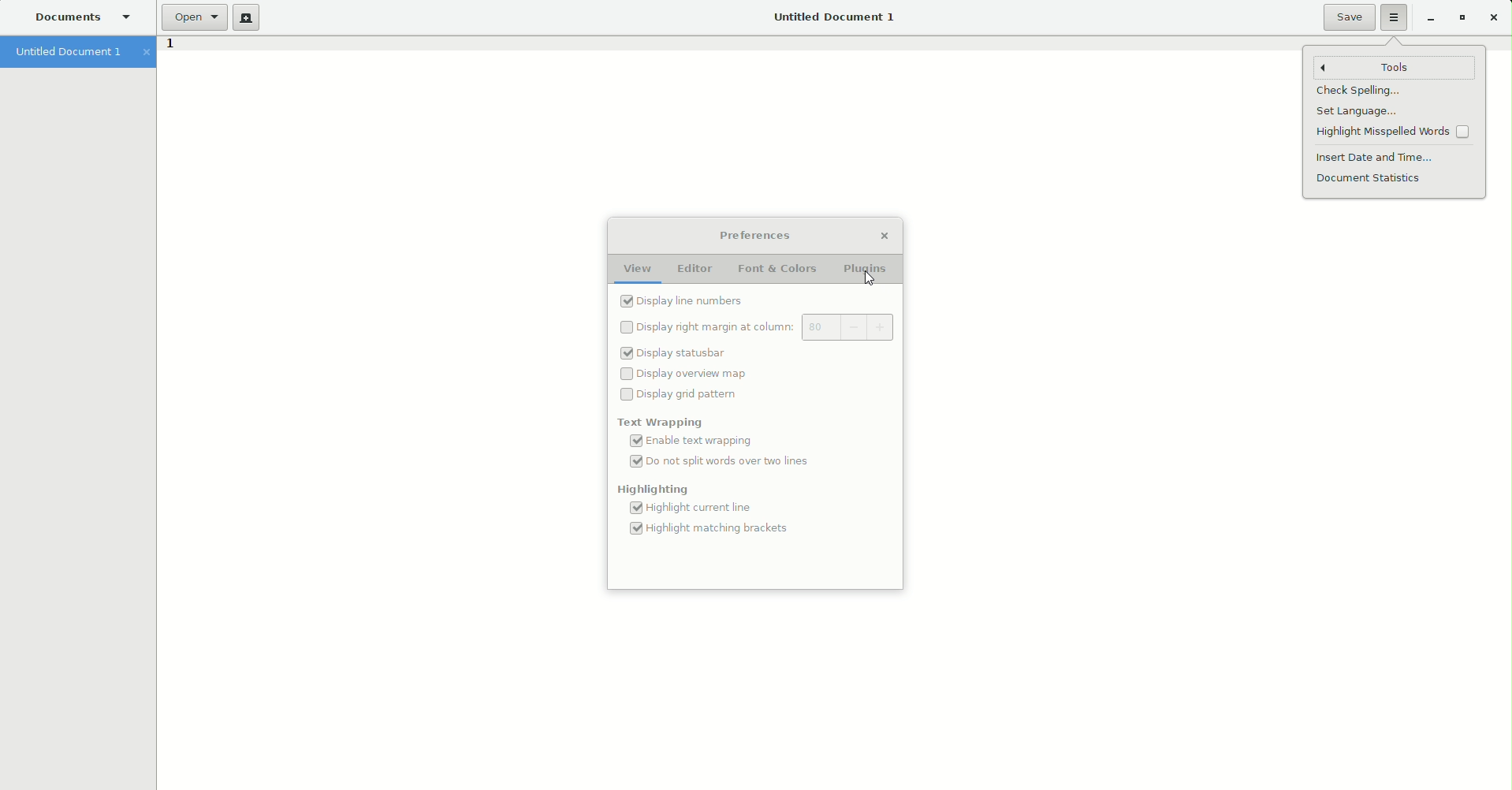  I want to click on Cursor, so click(869, 281).